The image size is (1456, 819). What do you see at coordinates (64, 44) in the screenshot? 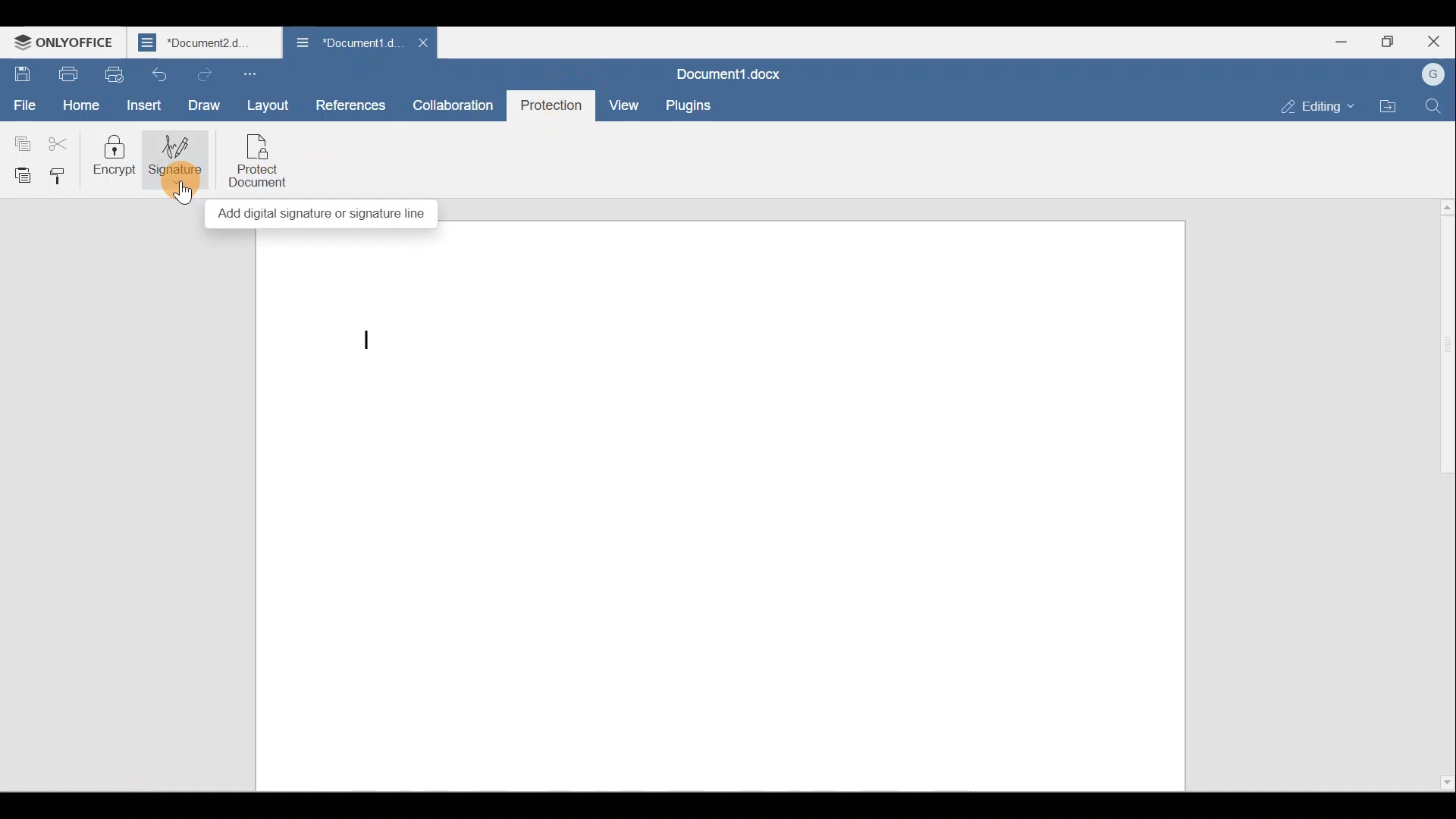
I see `ONLYOFFICE` at bounding box center [64, 44].